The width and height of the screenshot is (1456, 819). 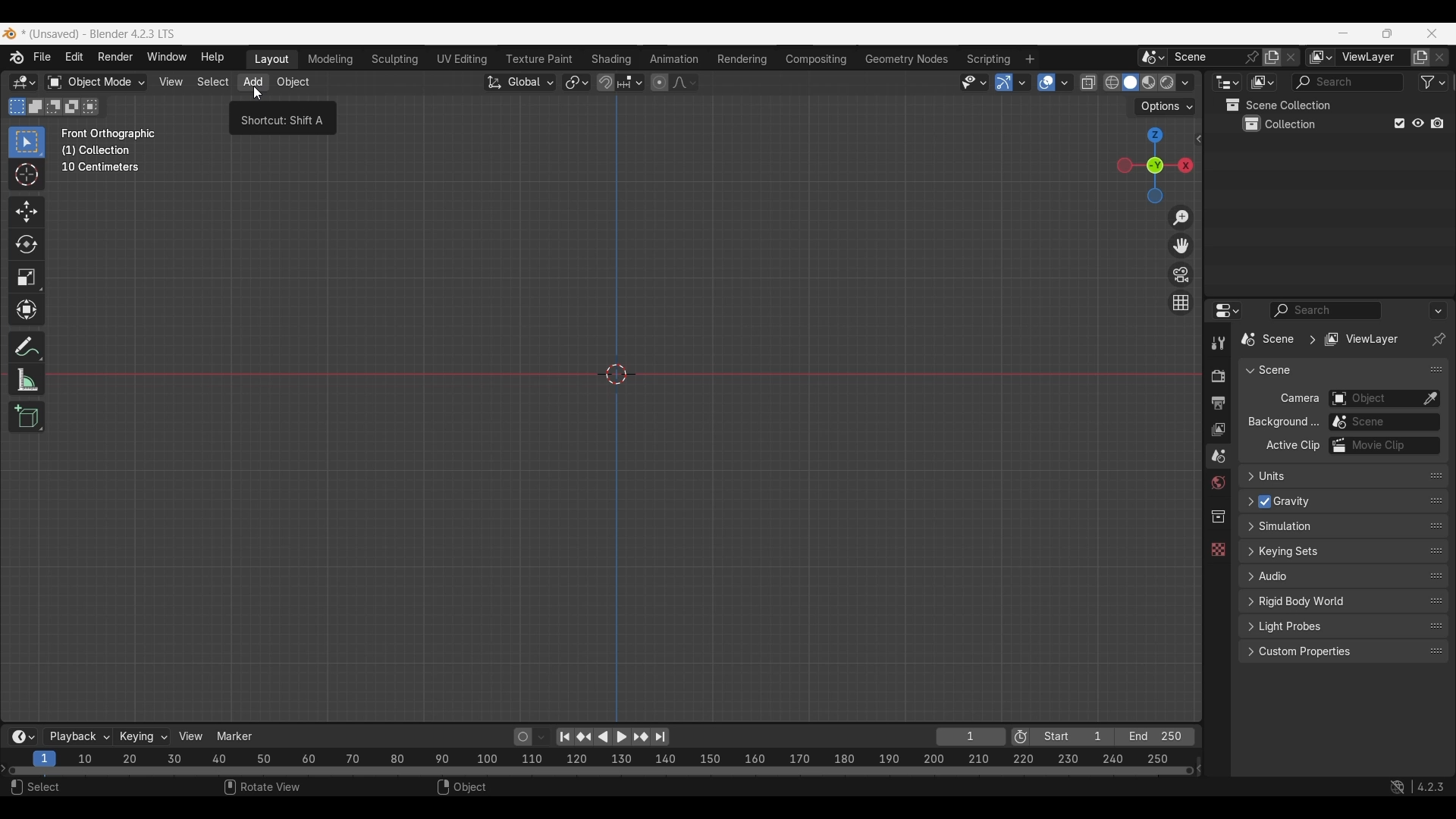 What do you see at coordinates (1332, 369) in the screenshot?
I see `Collapse Scene panel` at bounding box center [1332, 369].